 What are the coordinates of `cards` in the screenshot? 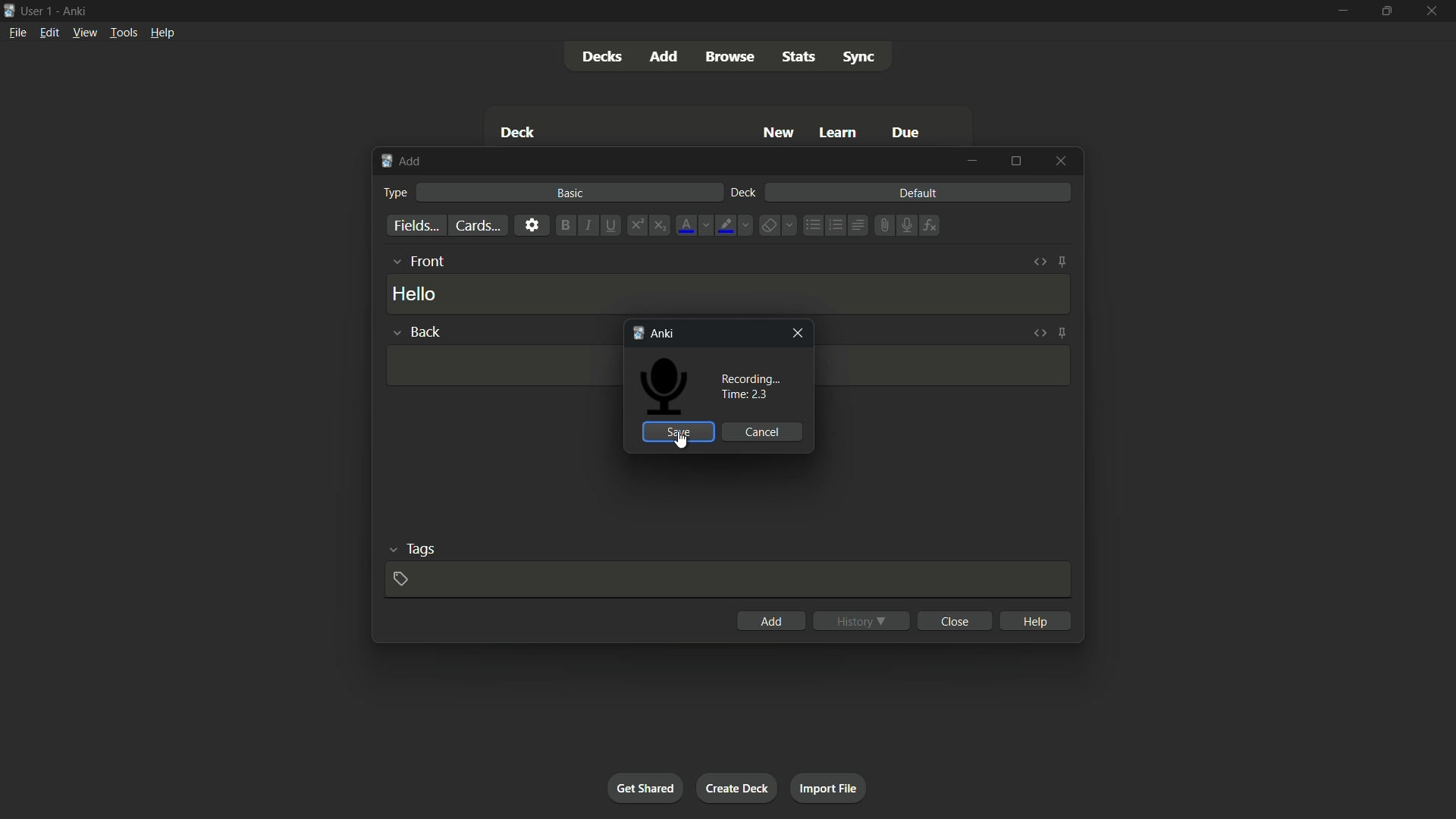 It's located at (477, 226).